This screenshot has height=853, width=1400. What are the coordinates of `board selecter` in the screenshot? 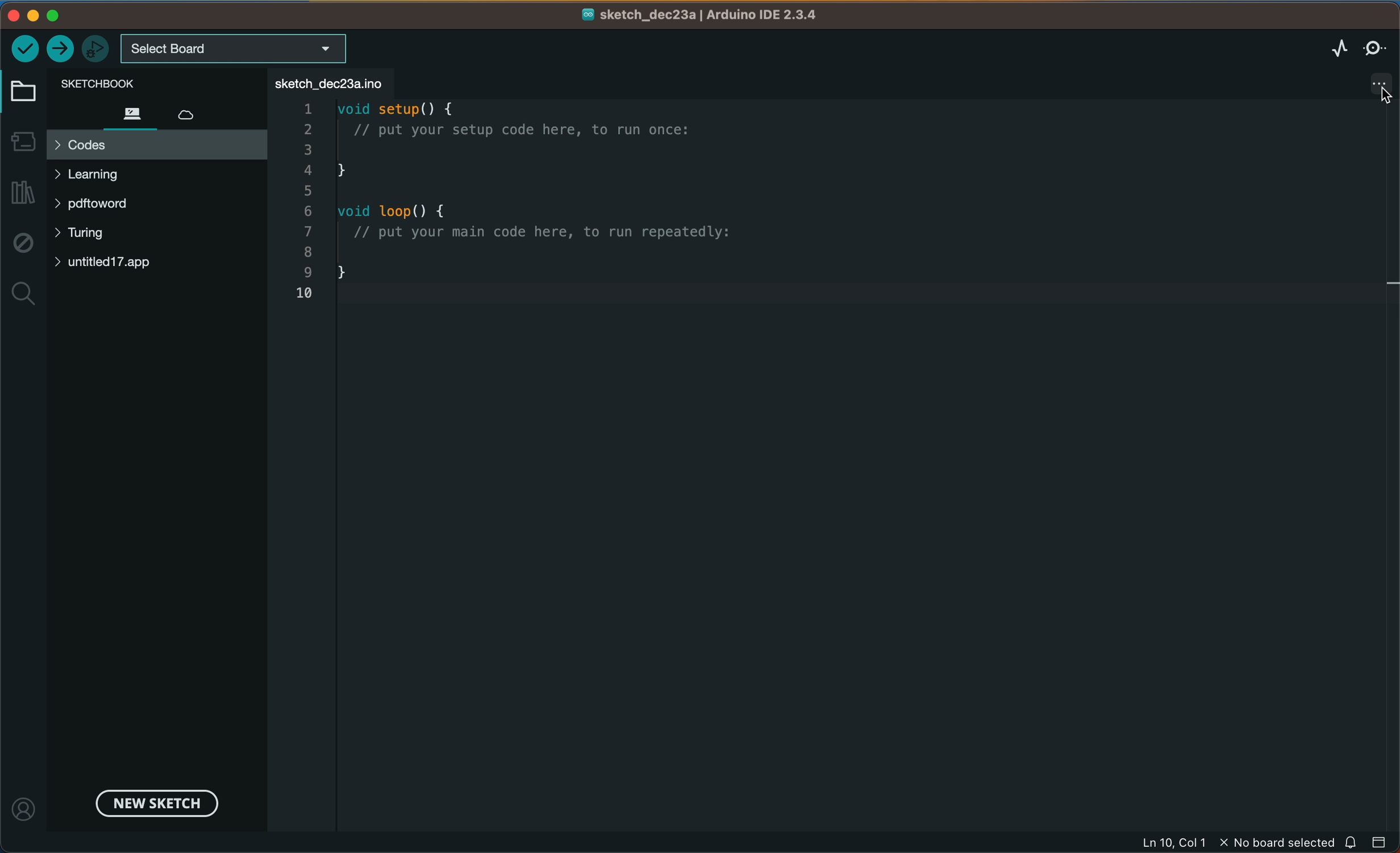 It's located at (235, 49).